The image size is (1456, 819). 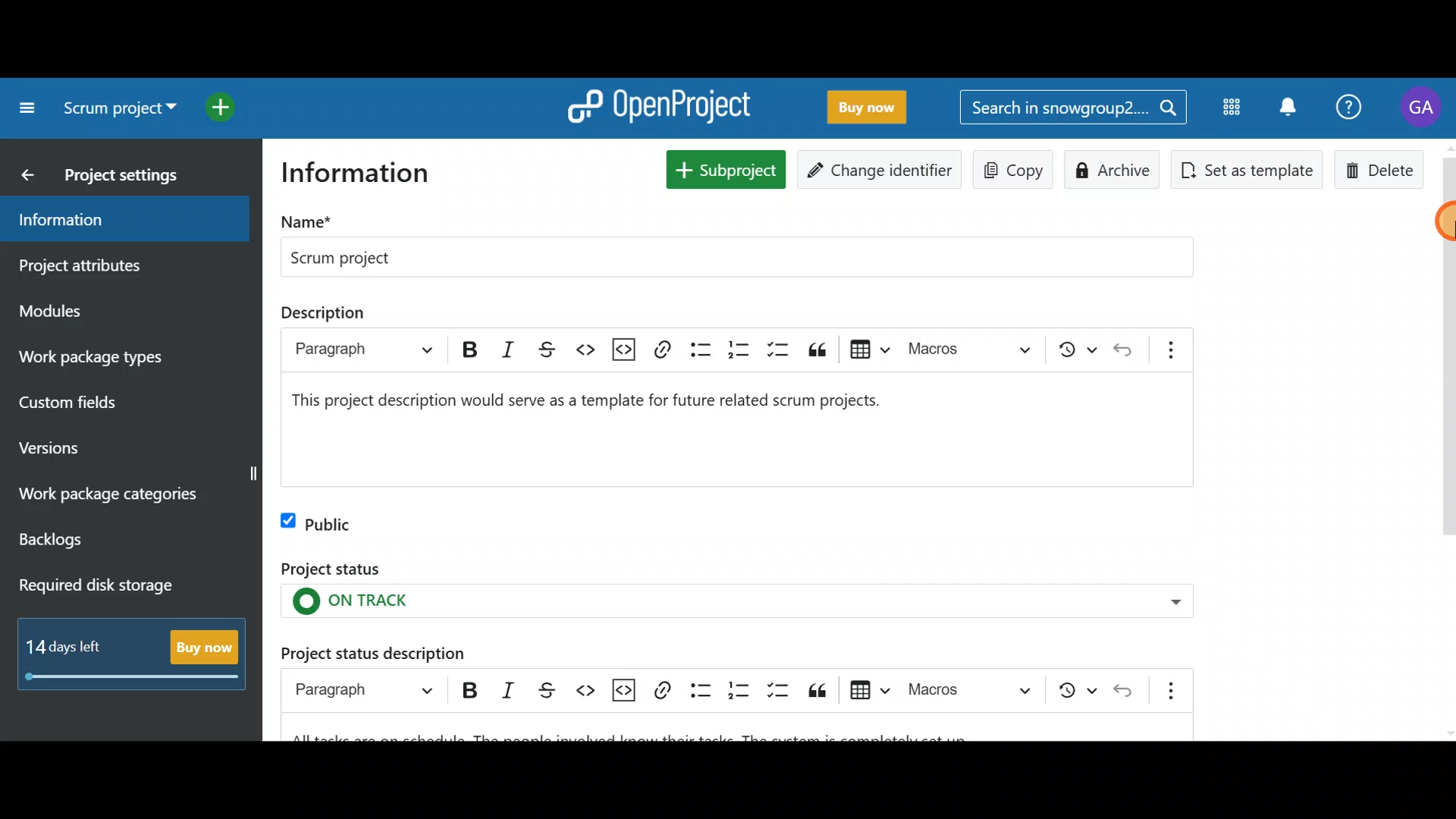 What do you see at coordinates (818, 691) in the screenshot?
I see `Block quote` at bounding box center [818, 691].